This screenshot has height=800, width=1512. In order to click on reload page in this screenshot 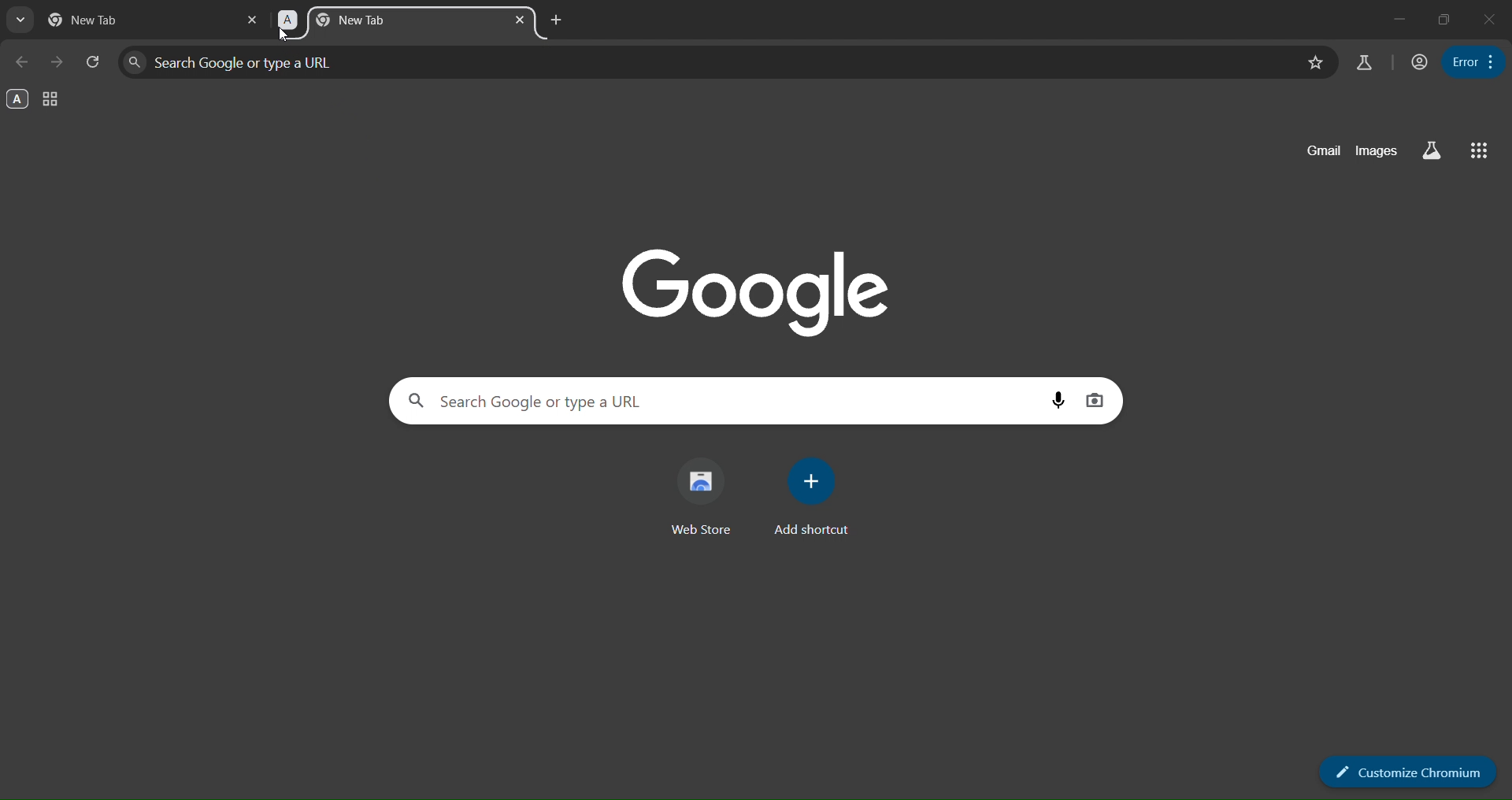, I will do `click(94, 61)`.